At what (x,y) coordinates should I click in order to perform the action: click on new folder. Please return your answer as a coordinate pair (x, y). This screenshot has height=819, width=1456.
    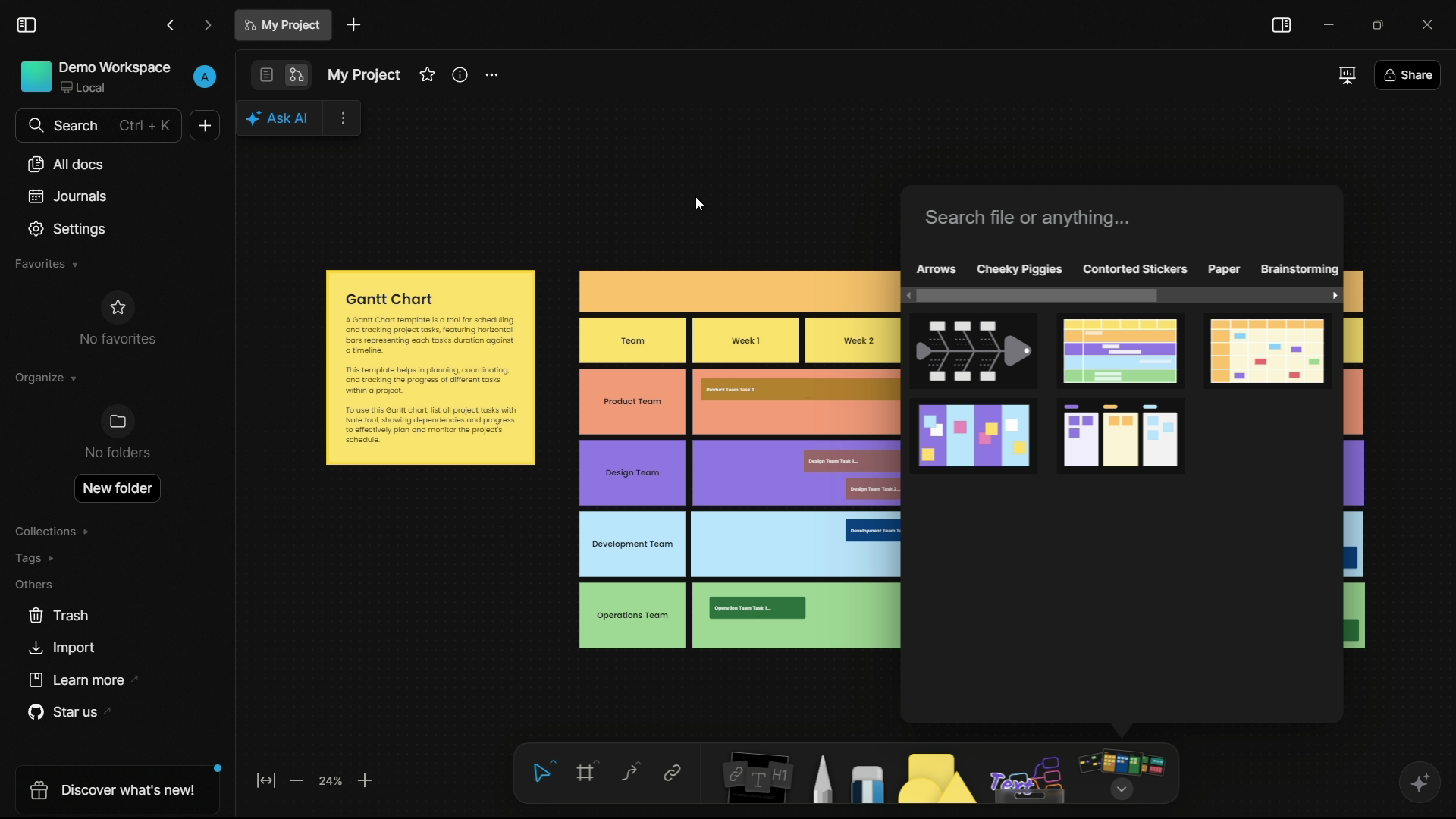
    Looking at the image, I should click on (119, 486).